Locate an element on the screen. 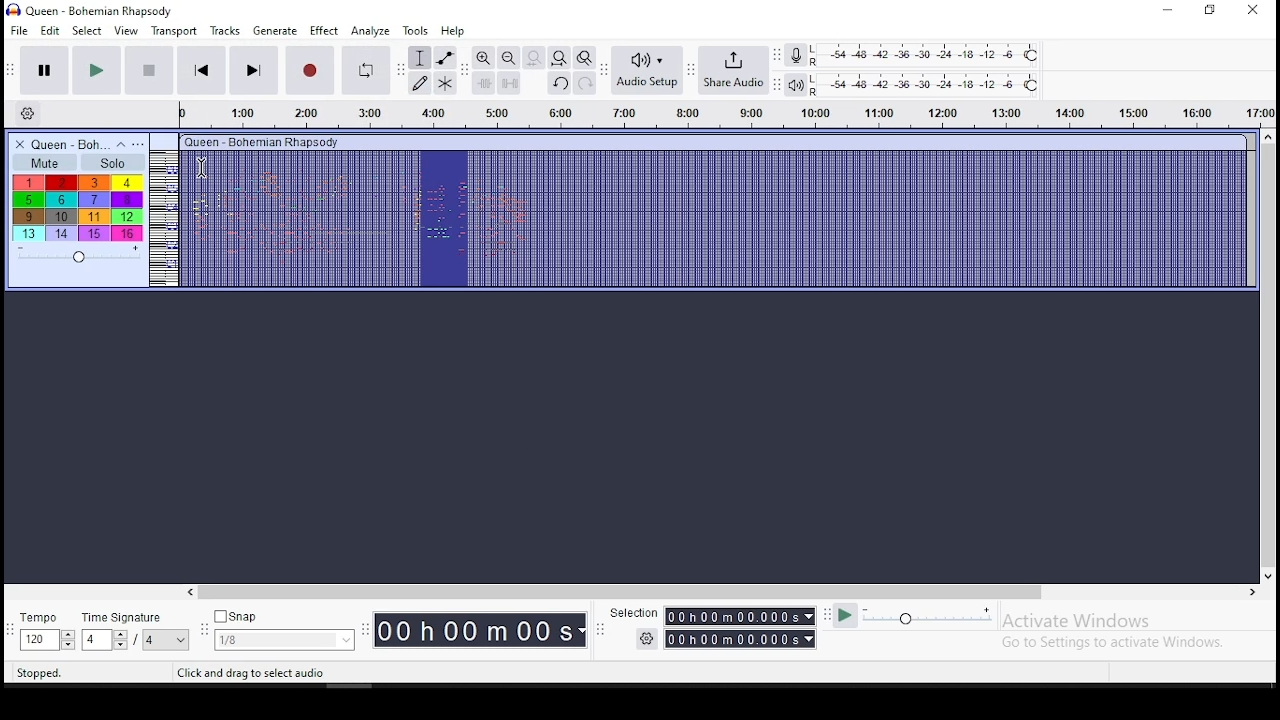 This screenshot has width=1280, height=720. edit is located at coordinates (50, 31).